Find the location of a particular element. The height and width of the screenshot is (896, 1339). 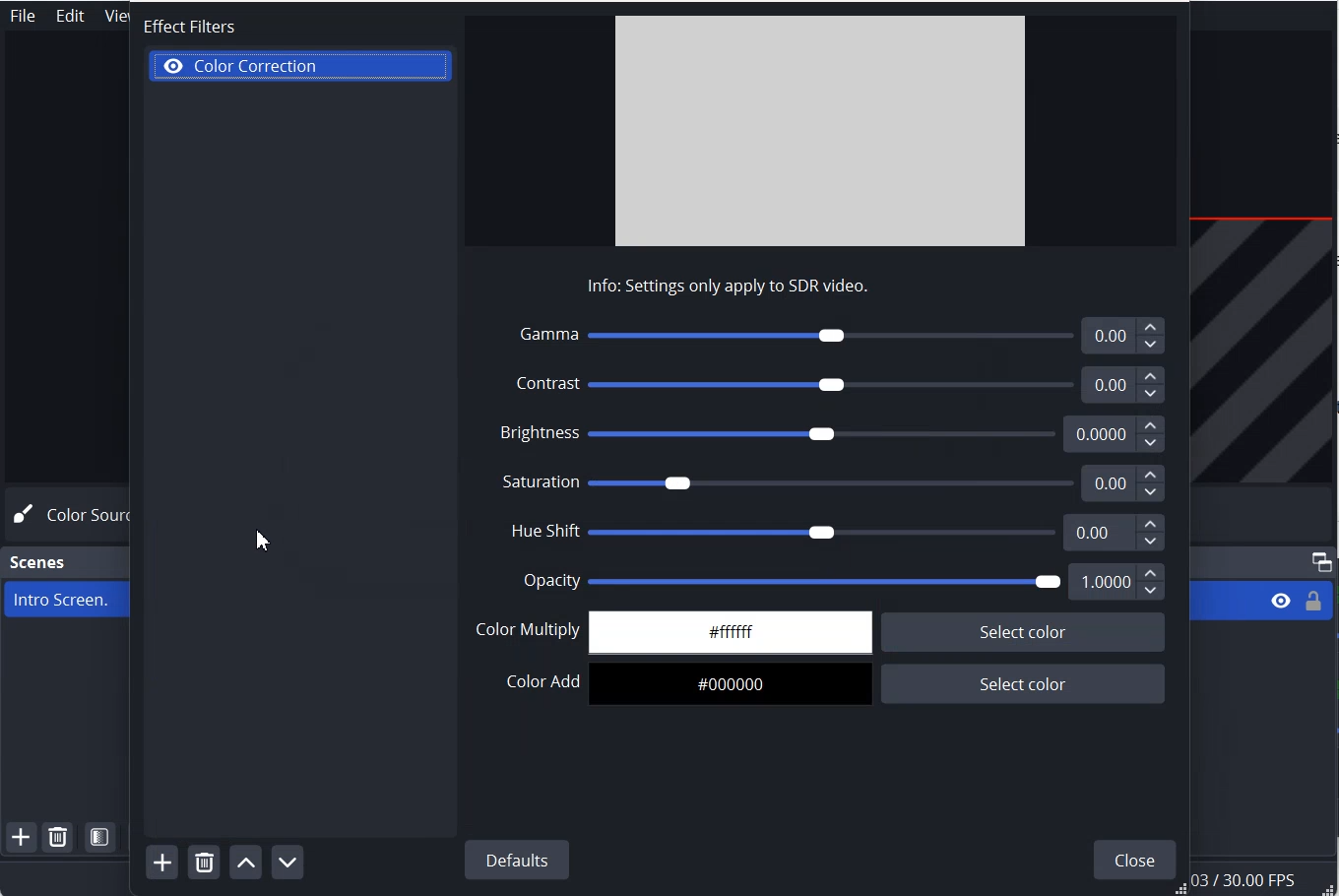

Open Scene Filter is located at coordinates (101, 837).